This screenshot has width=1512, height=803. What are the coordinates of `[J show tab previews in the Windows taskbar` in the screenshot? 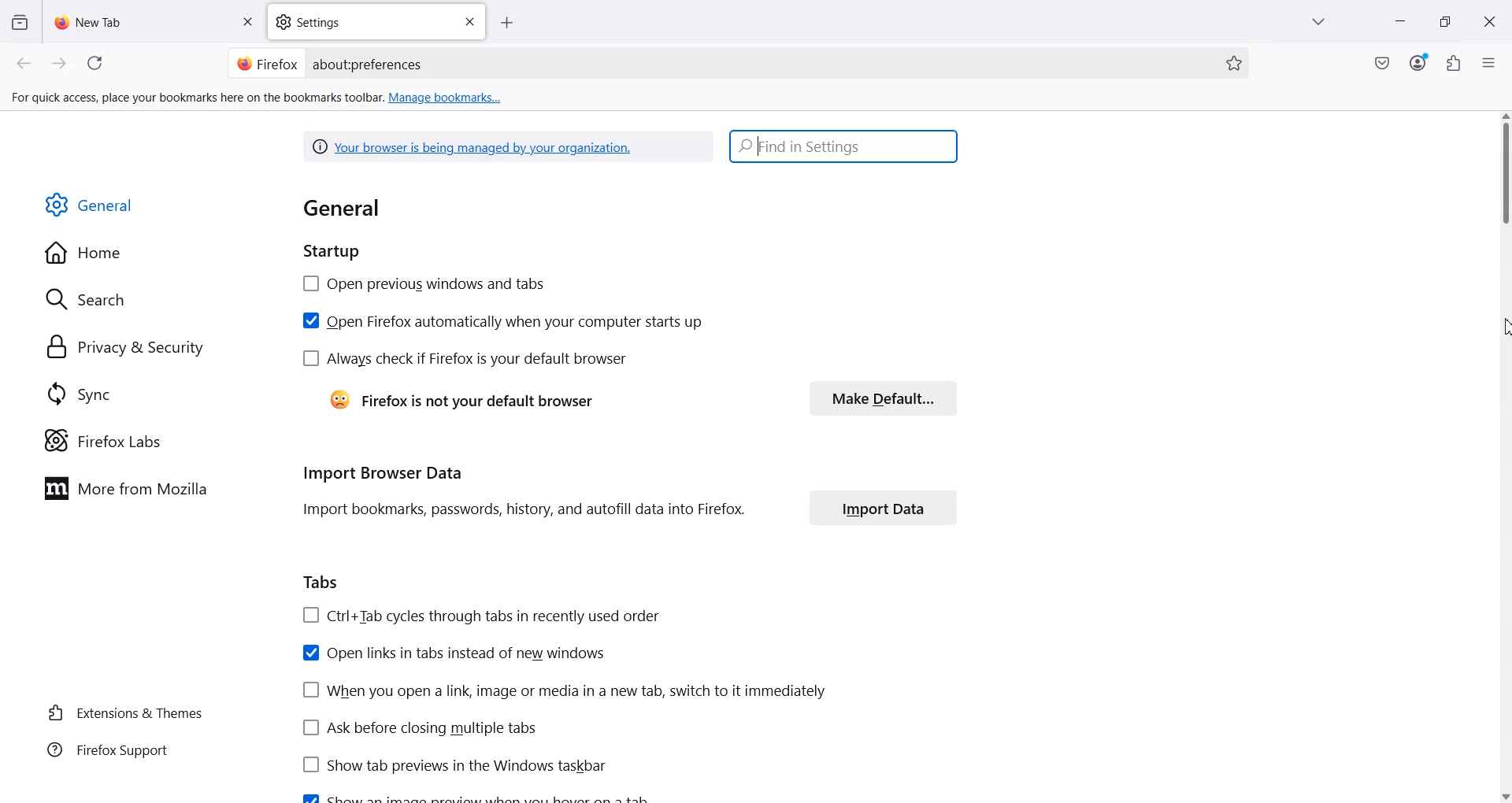 It's located at (451, 764).